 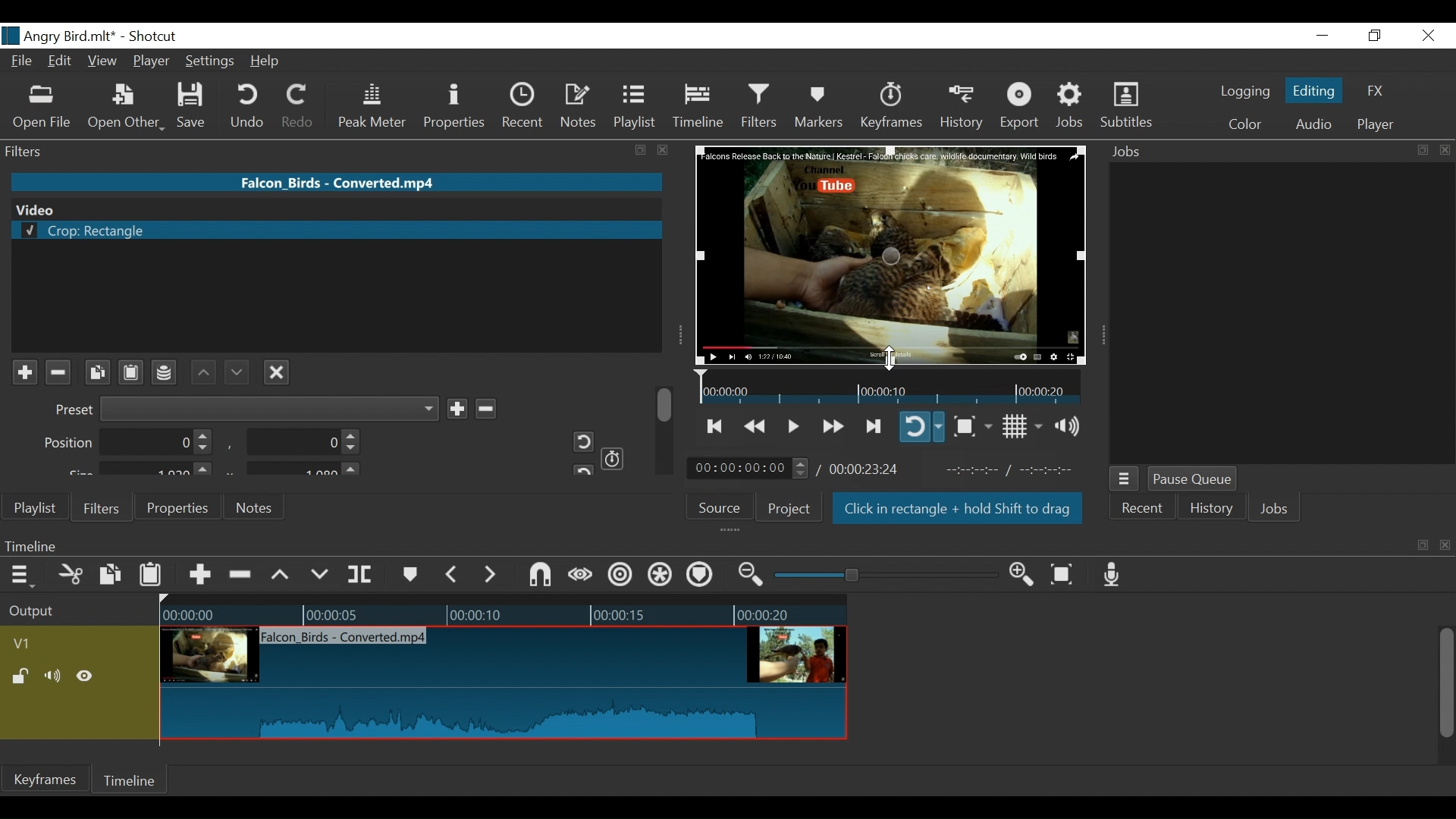 I want to click on Save, so click(x=196, y=106).